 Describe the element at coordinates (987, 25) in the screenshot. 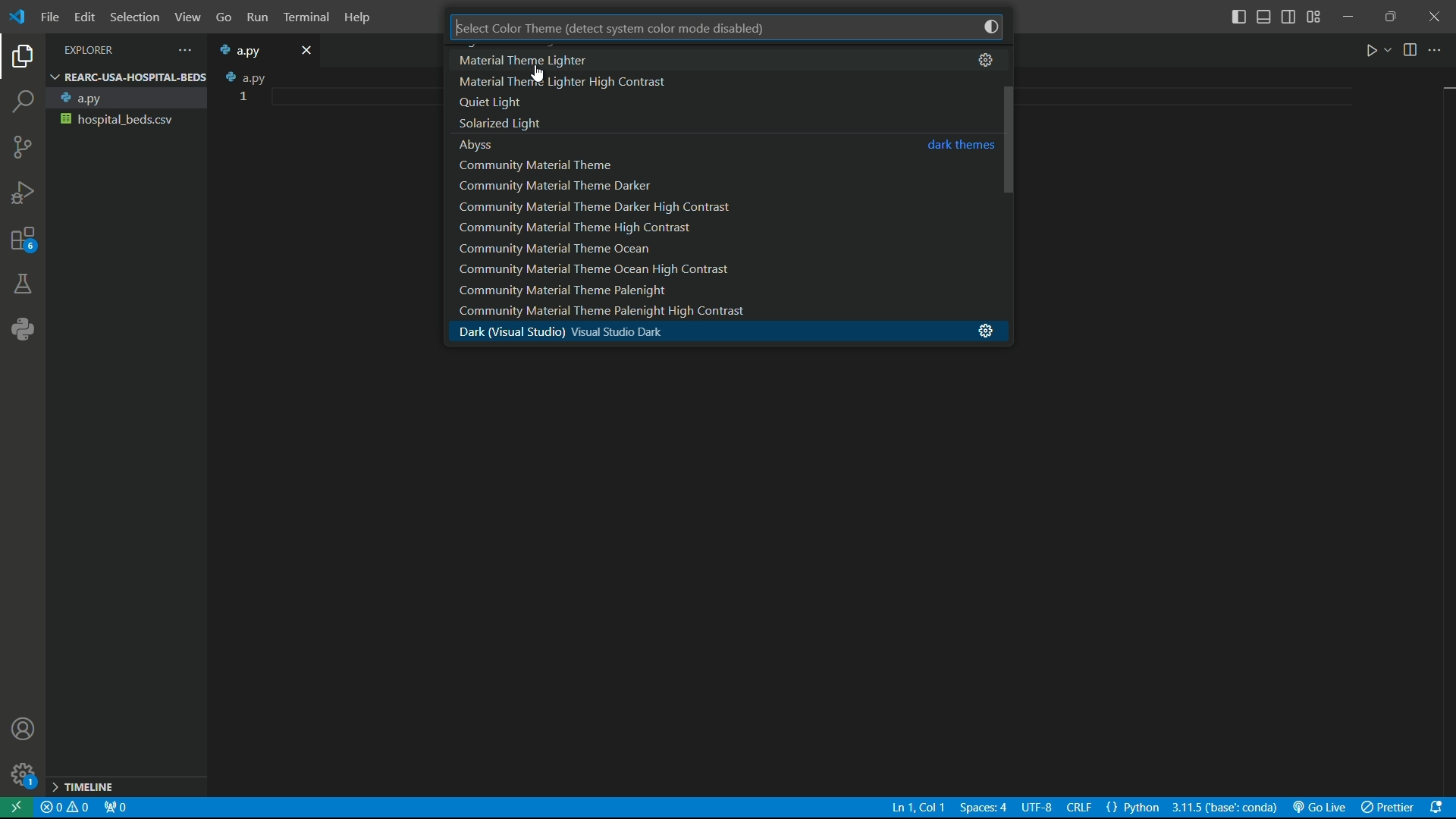

I see `lighting` at that location.